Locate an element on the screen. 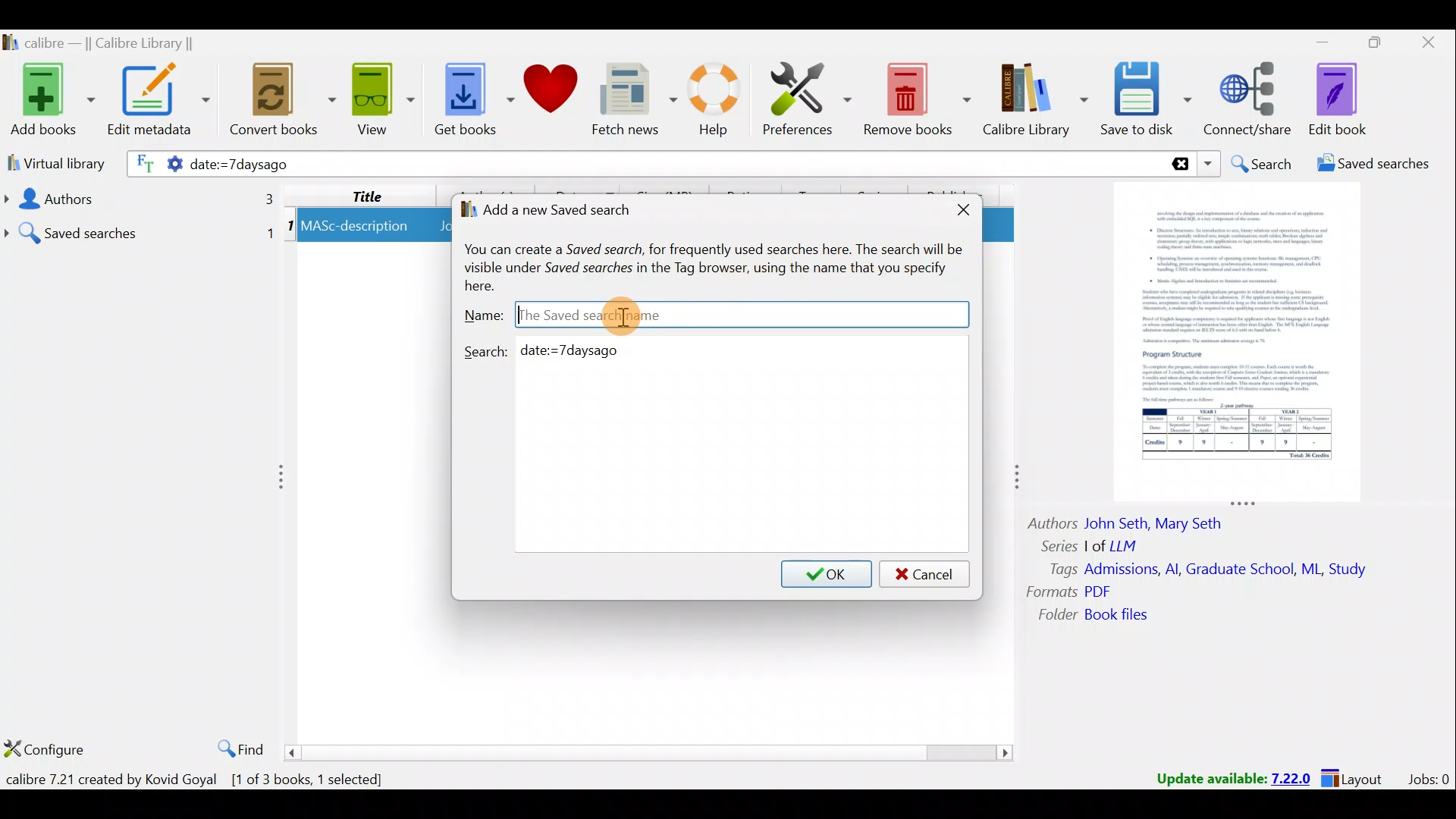 This screenshot has width=1456, height=819. Preferences is located at coordinates (809, 96).